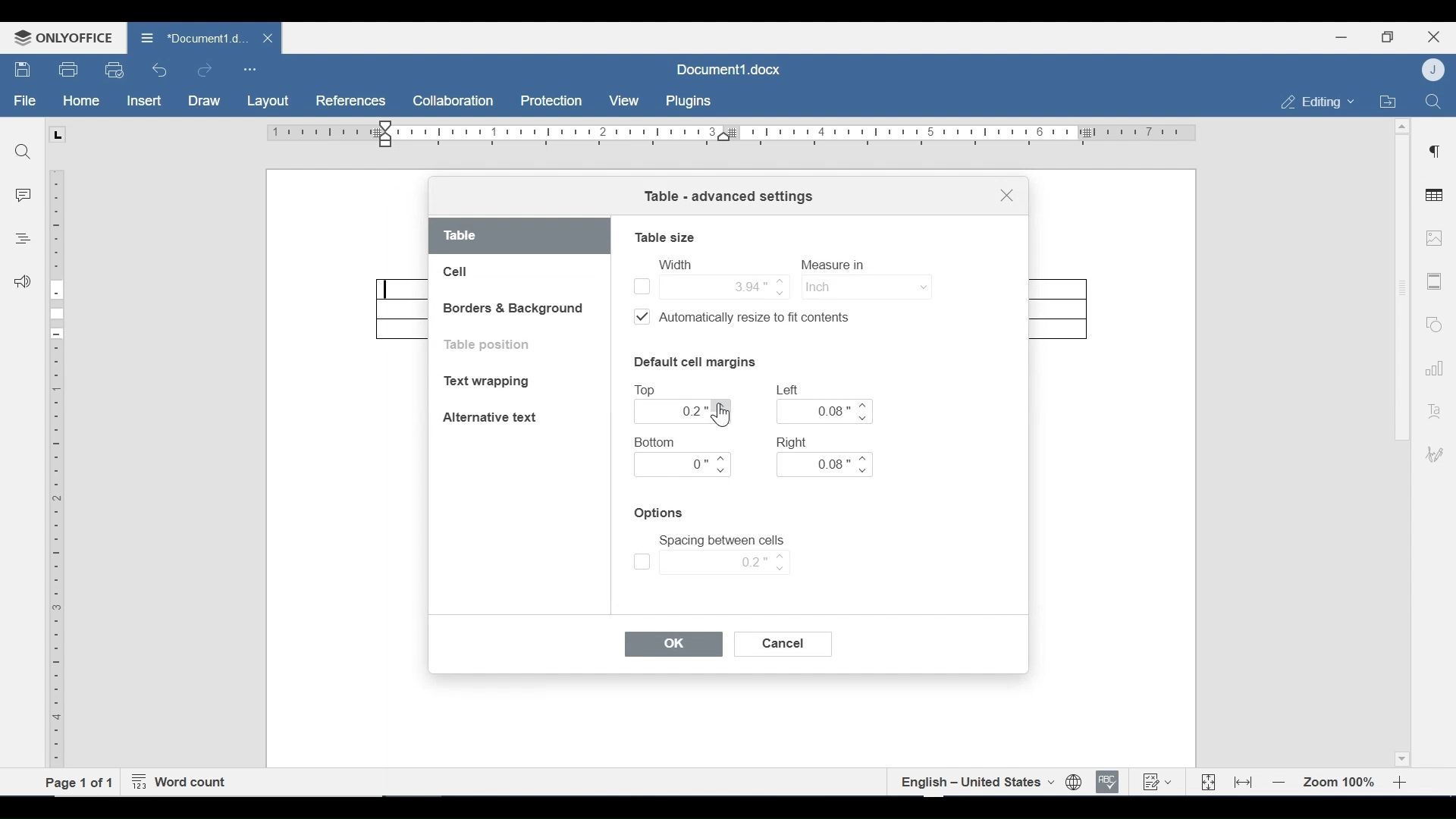 This screenshot has width=1456, height=819. What do you see at coordinates (728, 198) in the screenshot?
I see `Table - advanced settings` at bounding box center [728, 198].